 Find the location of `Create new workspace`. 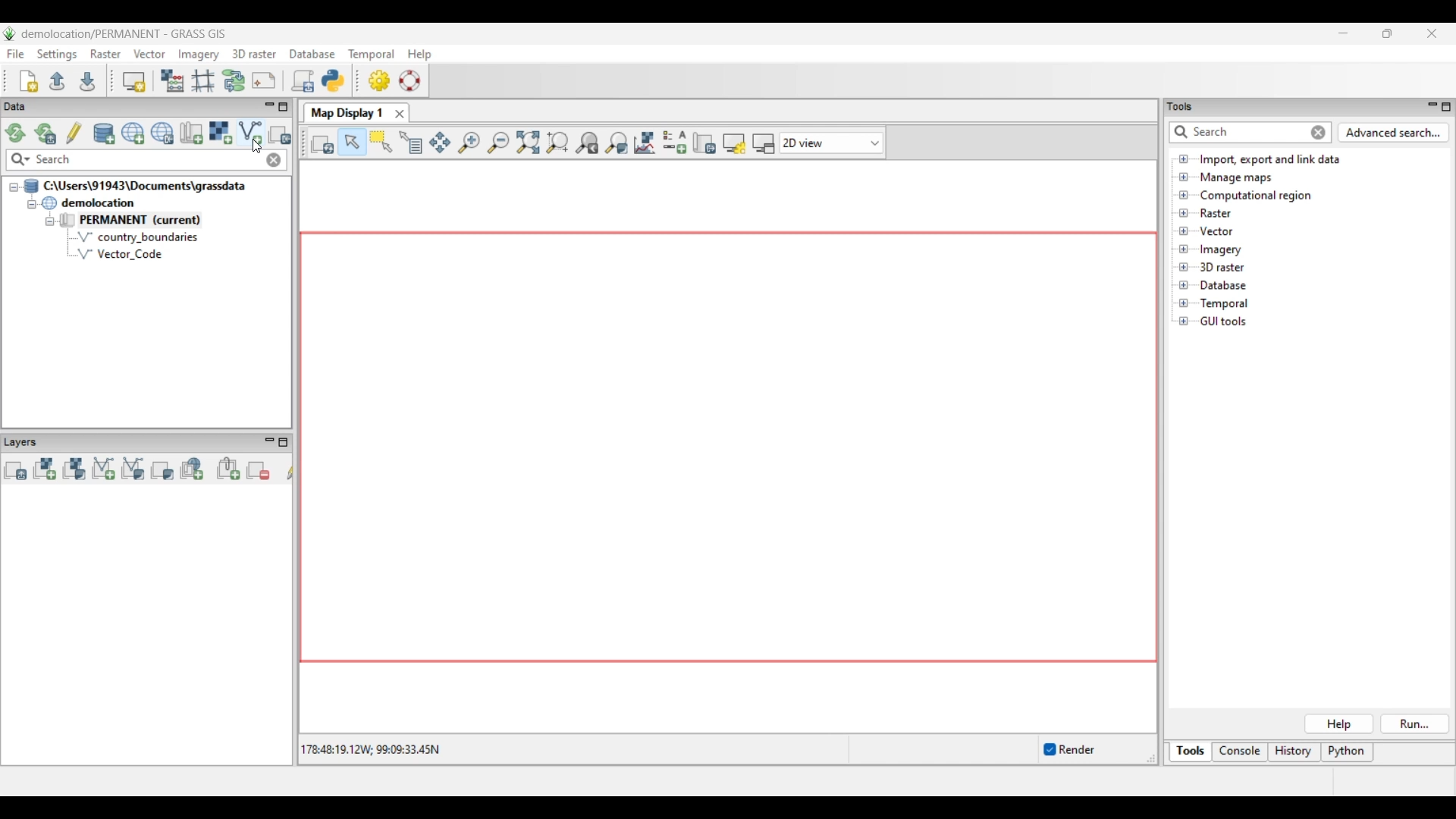

Create new workspace is located at coordinates (30, 81).